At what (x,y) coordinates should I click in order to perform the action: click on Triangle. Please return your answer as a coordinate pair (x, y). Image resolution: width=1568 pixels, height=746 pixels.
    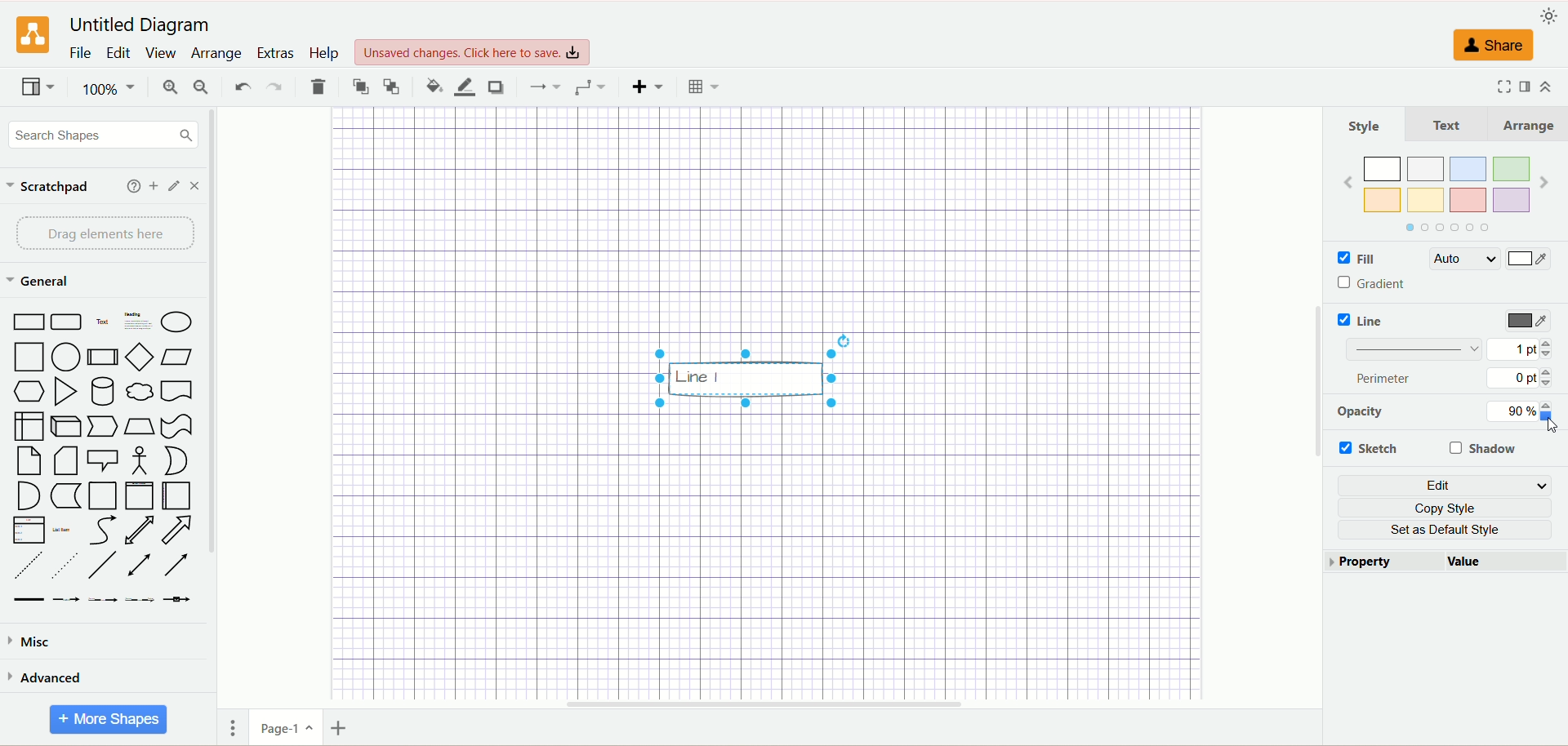
    Looking at the image, I should click on (65, 392).